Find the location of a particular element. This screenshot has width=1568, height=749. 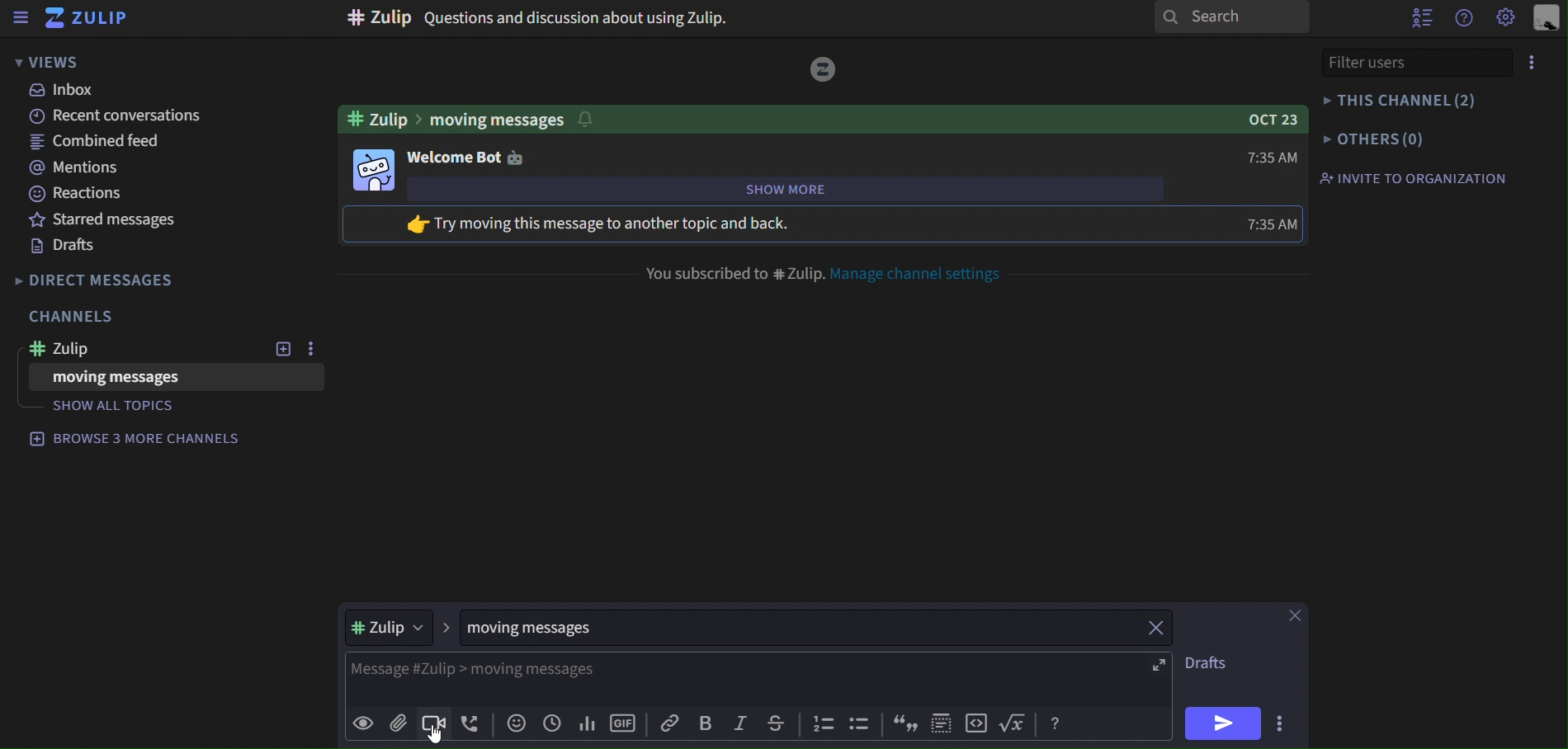

zulip icon is located at coordinates (86, 19).